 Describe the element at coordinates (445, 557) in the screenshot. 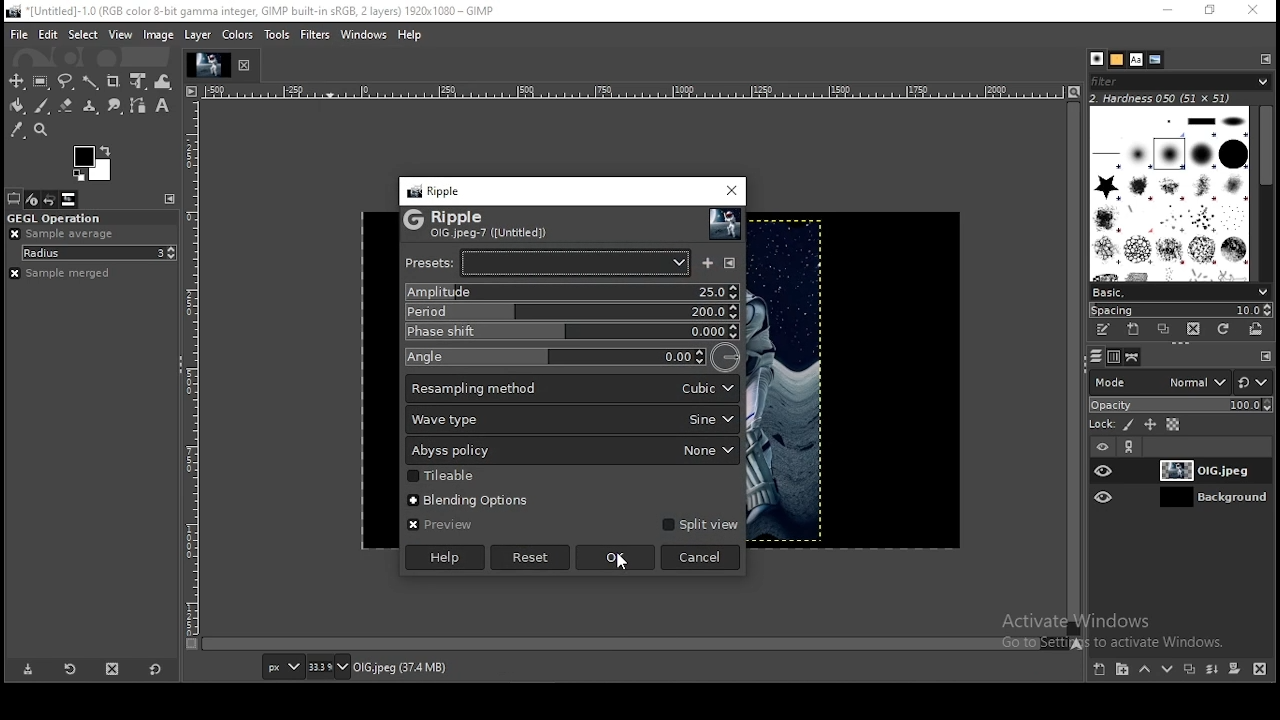

I see `help` at that location.